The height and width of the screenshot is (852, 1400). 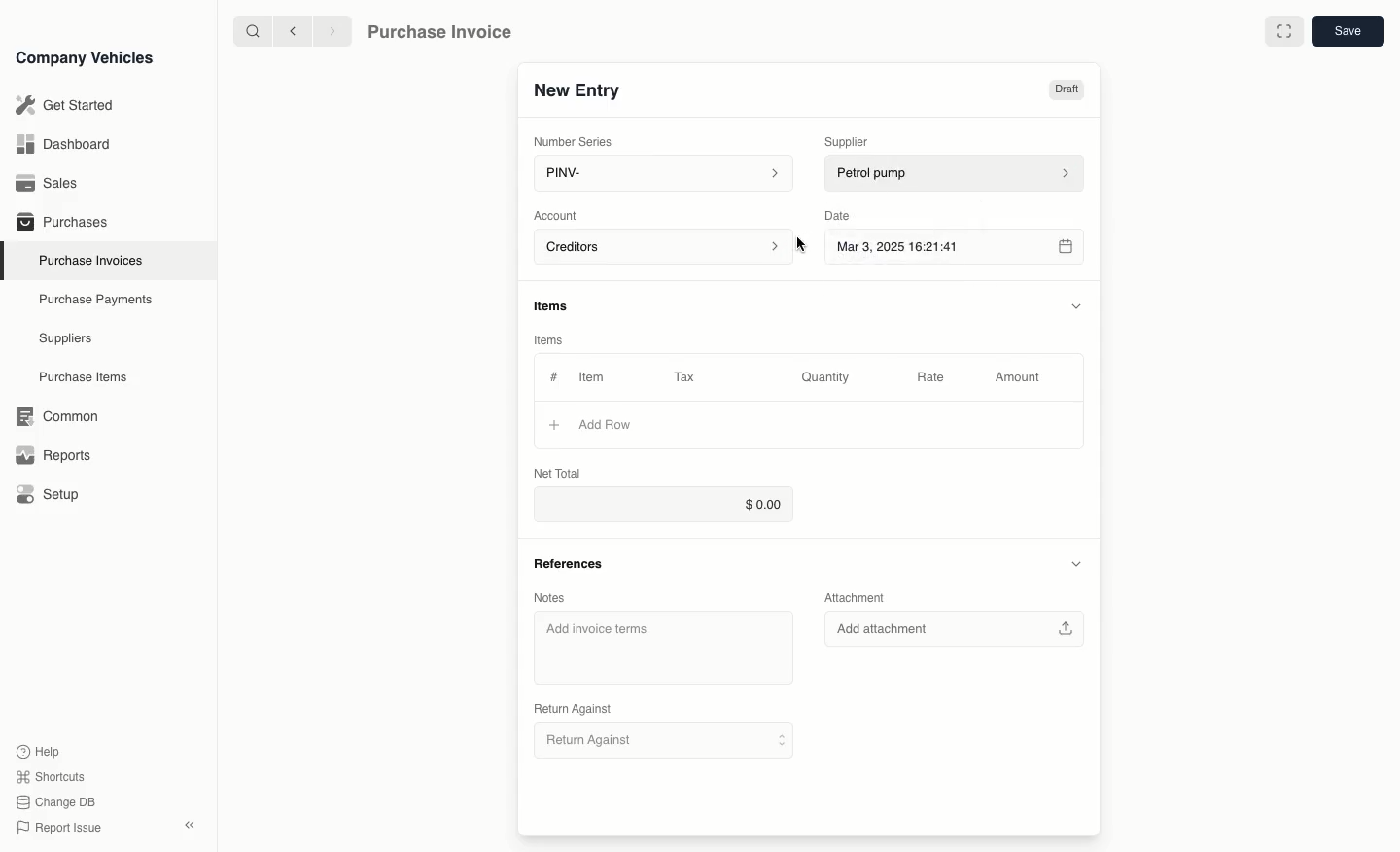 What do you see at coordinates (935, 248) in the screenshot?
I see `Mar 3, 2025 16:21:41` at bounding box center [935, 248].